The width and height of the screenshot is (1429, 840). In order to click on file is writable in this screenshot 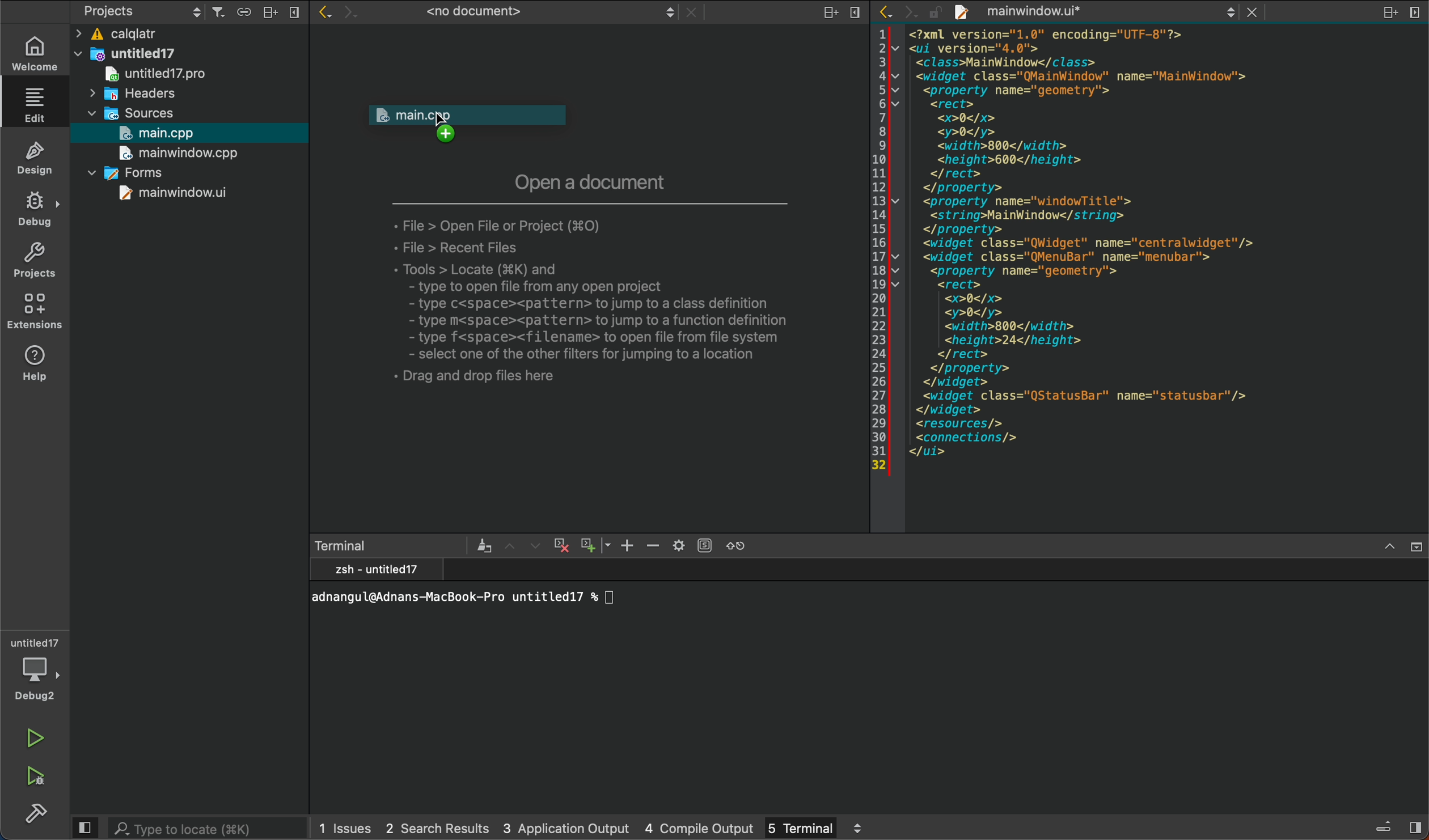, I will do `click(937, 15)`.